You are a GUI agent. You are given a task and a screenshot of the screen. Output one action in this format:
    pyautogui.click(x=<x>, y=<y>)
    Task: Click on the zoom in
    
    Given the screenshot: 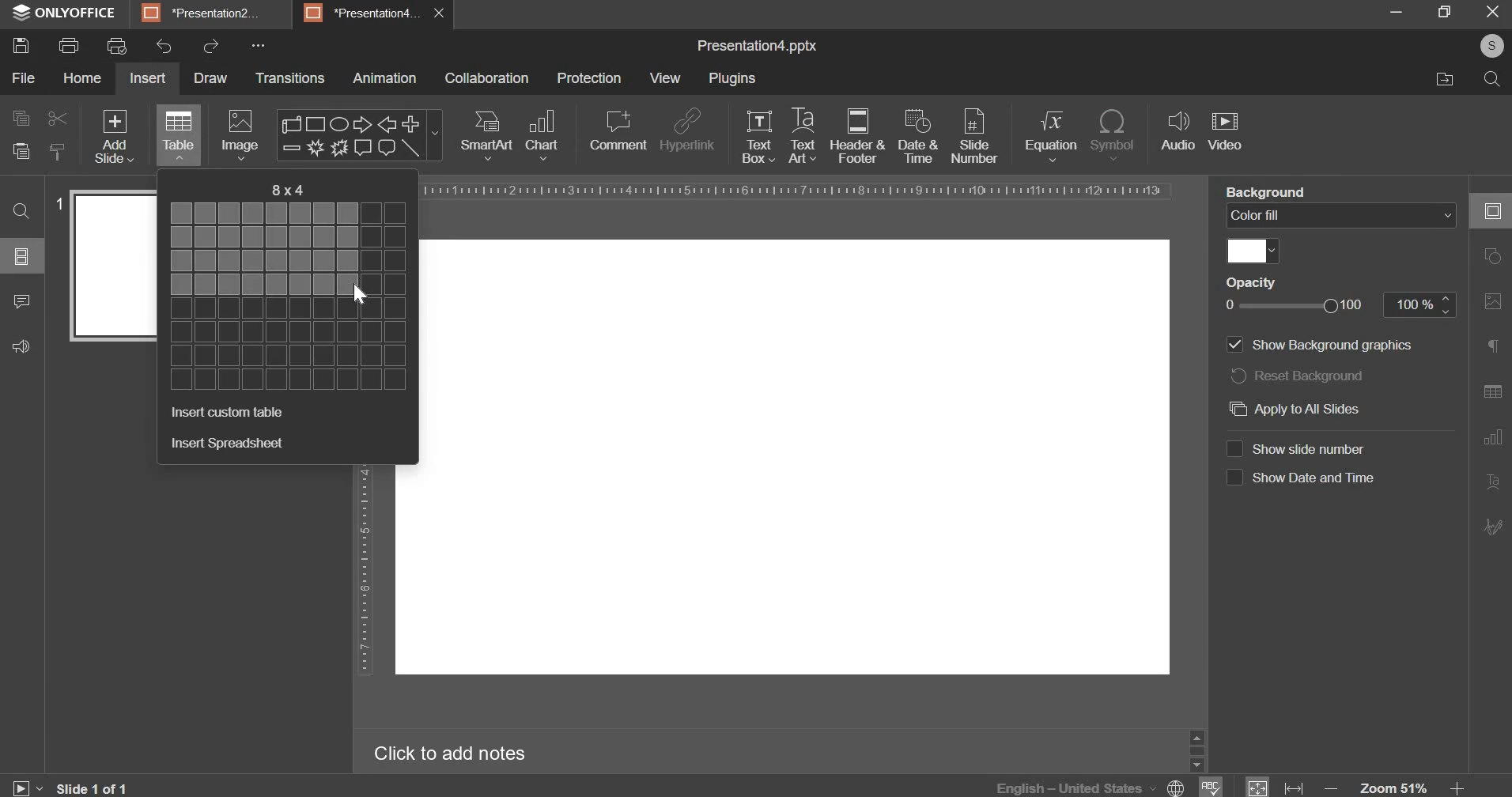 What is the action you would take?
    pyautogui.click(x=1464, y=788)
    